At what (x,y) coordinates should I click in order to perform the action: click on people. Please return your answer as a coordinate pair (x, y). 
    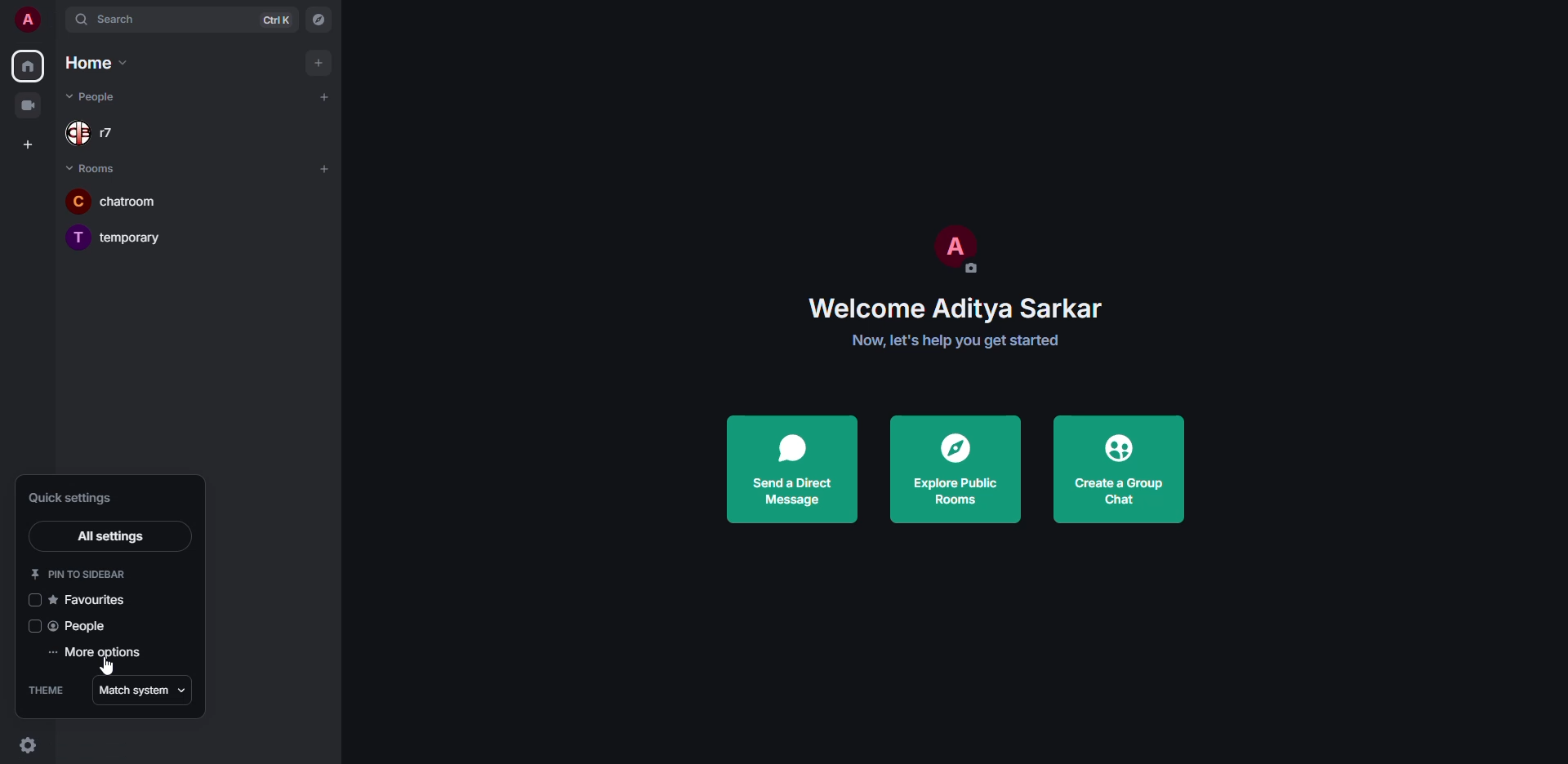
    Looking at the image, I should click on (82, 627).